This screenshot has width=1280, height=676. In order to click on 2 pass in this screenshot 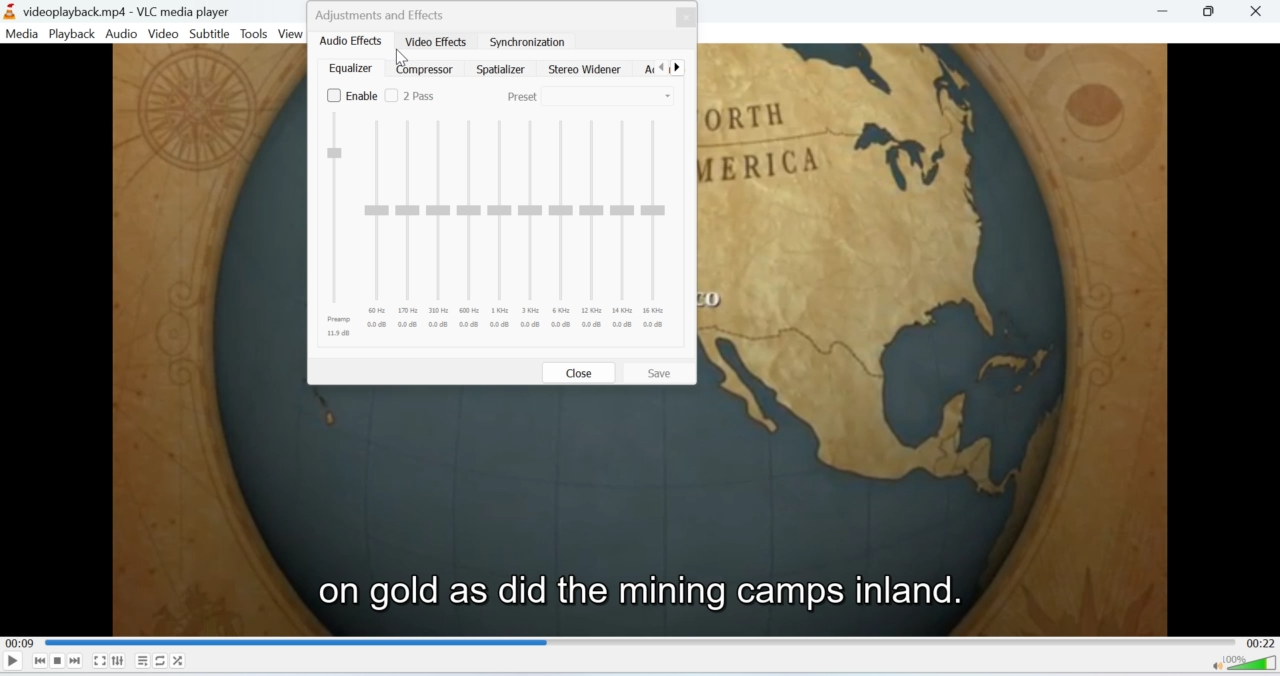, I will do `click(417, 96)`.